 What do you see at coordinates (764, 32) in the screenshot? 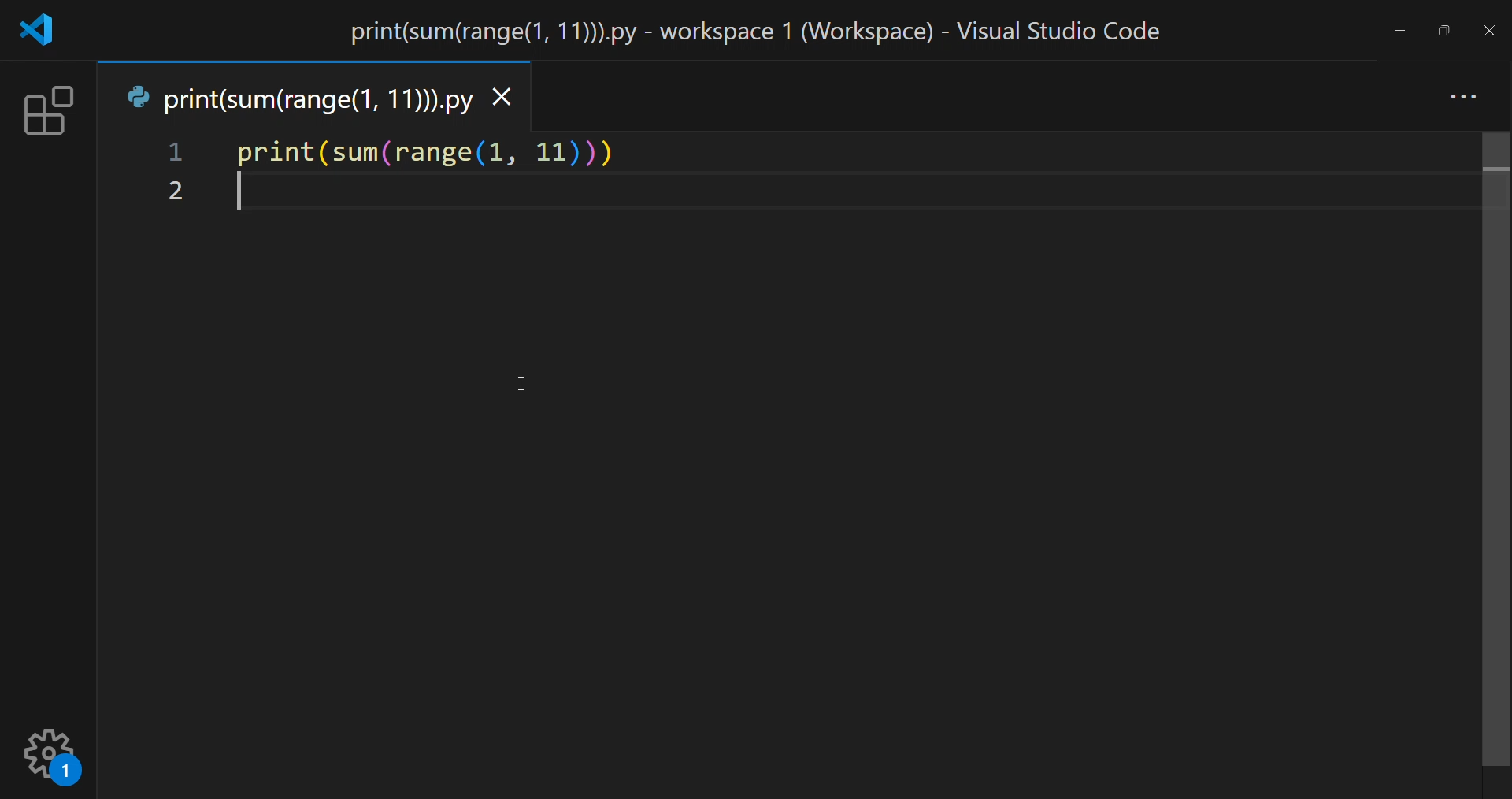
I see `print(sum(range(1, 11))).py - workspace 1 (Workspace) - Visual Studio Code` at bounding box center [764, 32].